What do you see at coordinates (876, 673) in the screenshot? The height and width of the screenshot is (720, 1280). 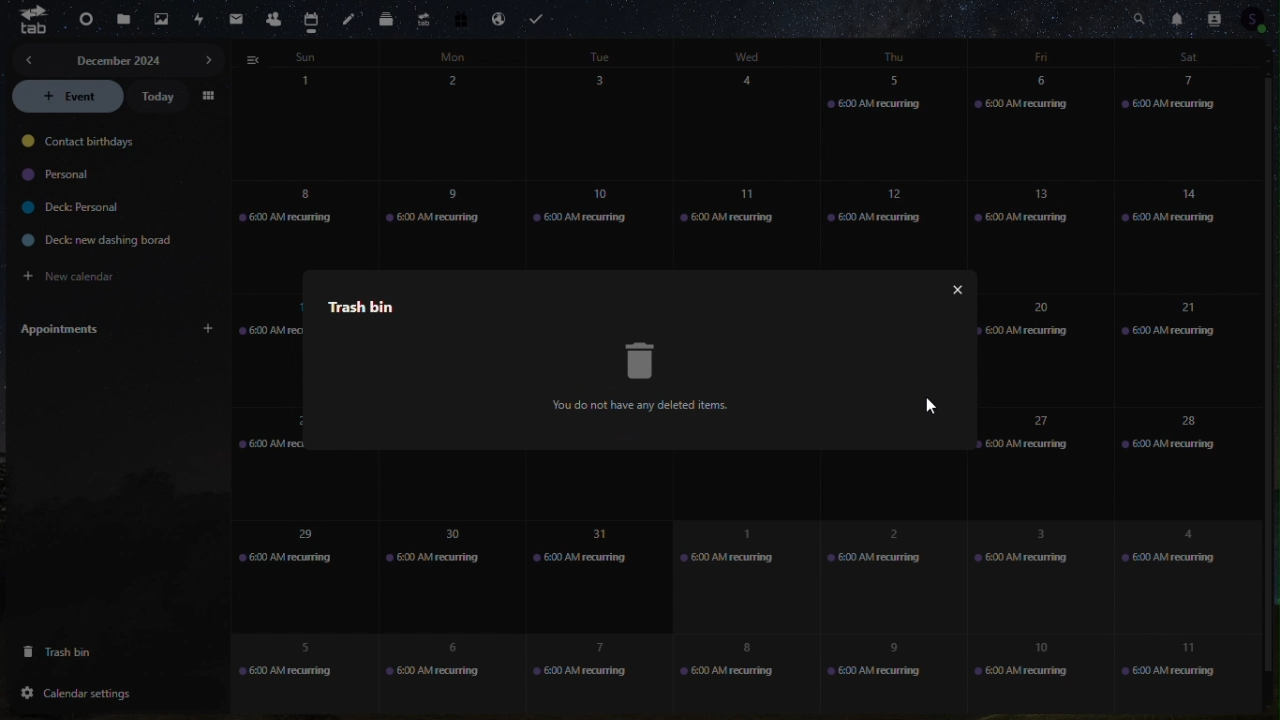 I see `9` at bounding box center [876, 673].